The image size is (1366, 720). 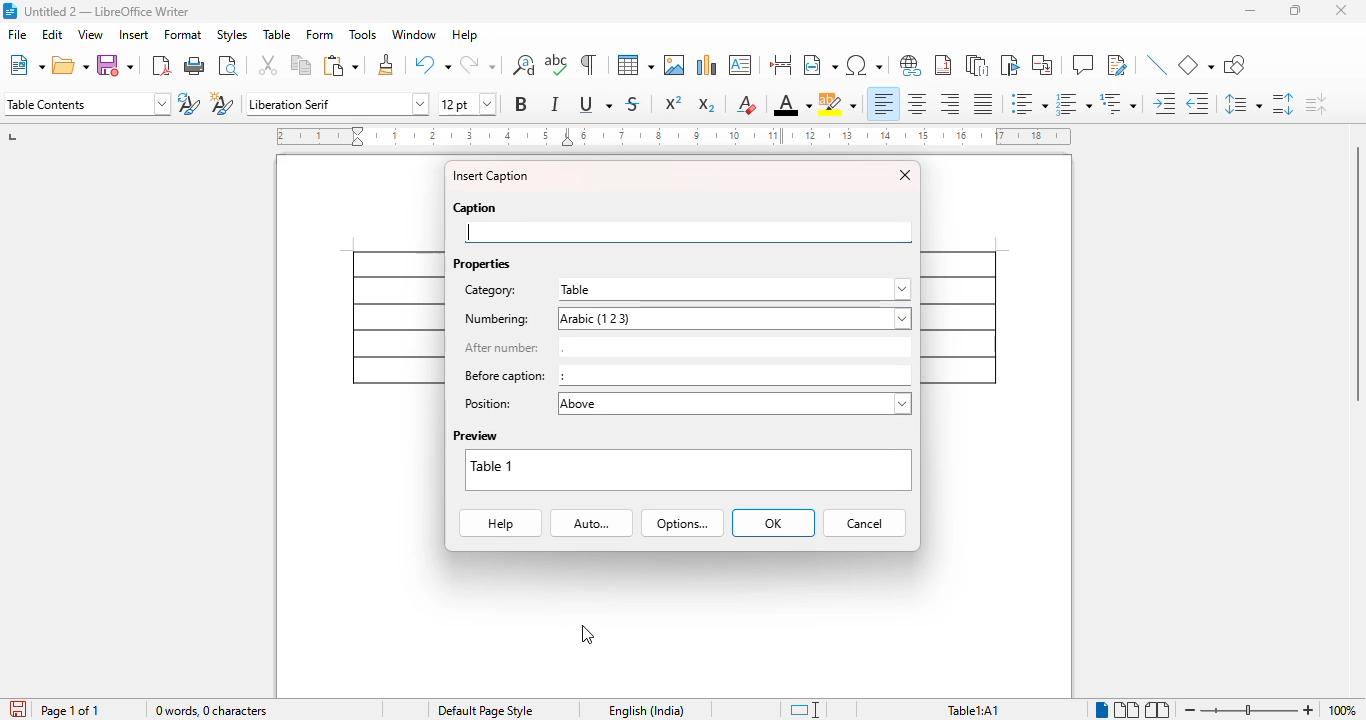 What do you see at coordinates (161, 66) in the screenshot?
I see `export directly as PDF` at bounding box center [161, 66].